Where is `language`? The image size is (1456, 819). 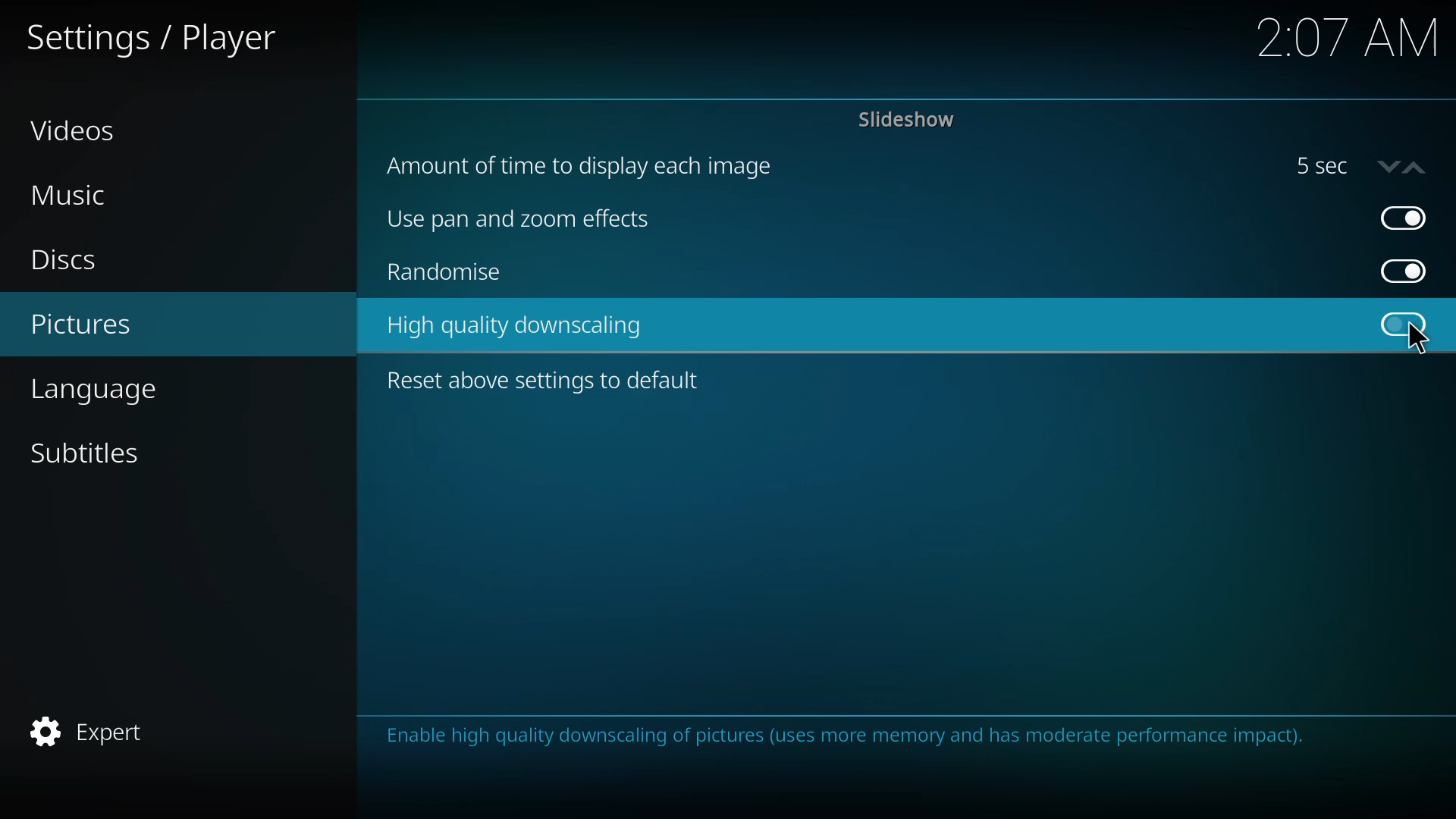 language is located at coordinates (117, 390).